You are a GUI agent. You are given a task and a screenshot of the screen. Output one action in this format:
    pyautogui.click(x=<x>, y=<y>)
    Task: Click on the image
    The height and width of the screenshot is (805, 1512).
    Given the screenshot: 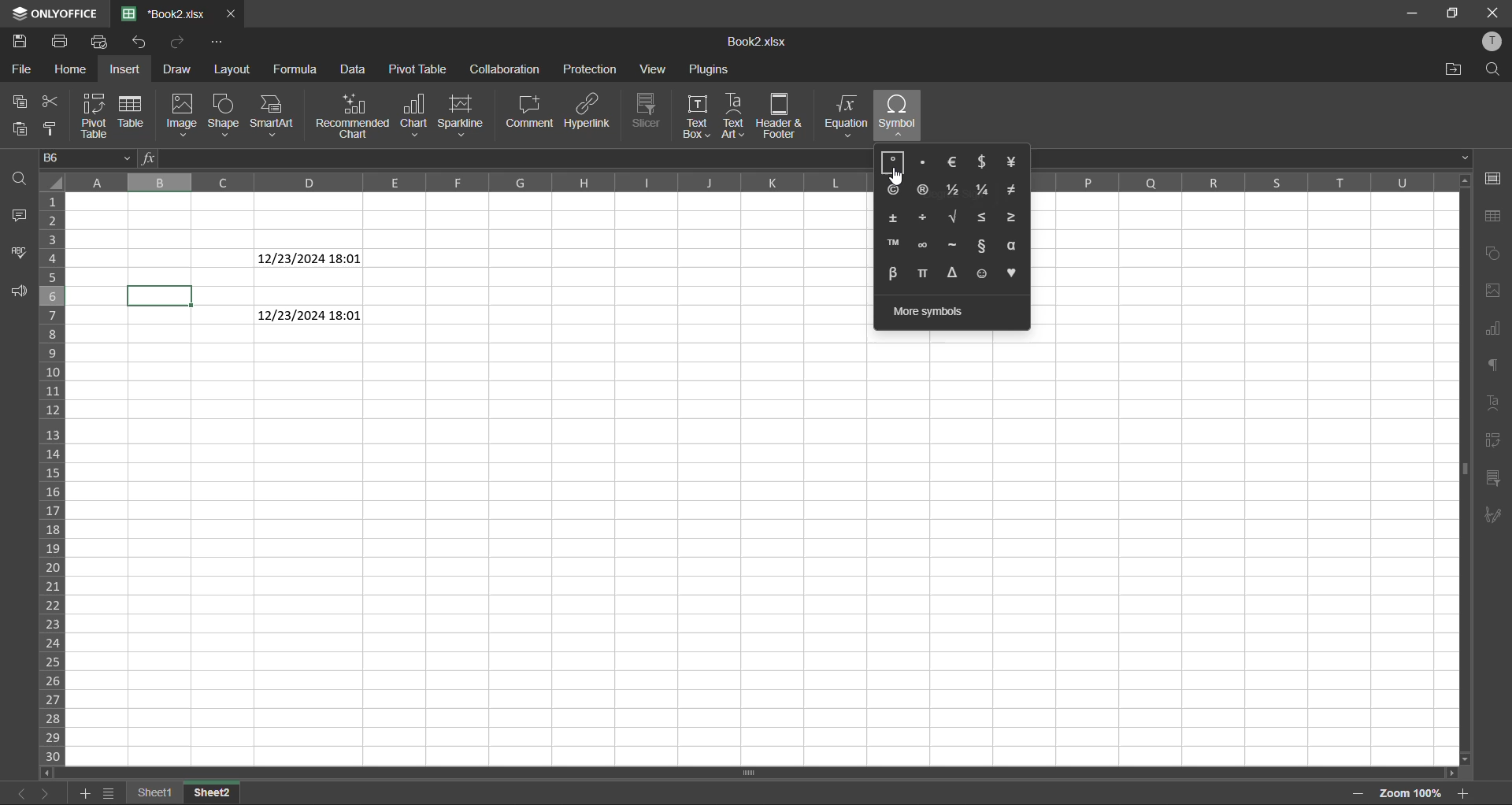 What is the action you would take?
    pyautogui.click(x=183, y=116)
    